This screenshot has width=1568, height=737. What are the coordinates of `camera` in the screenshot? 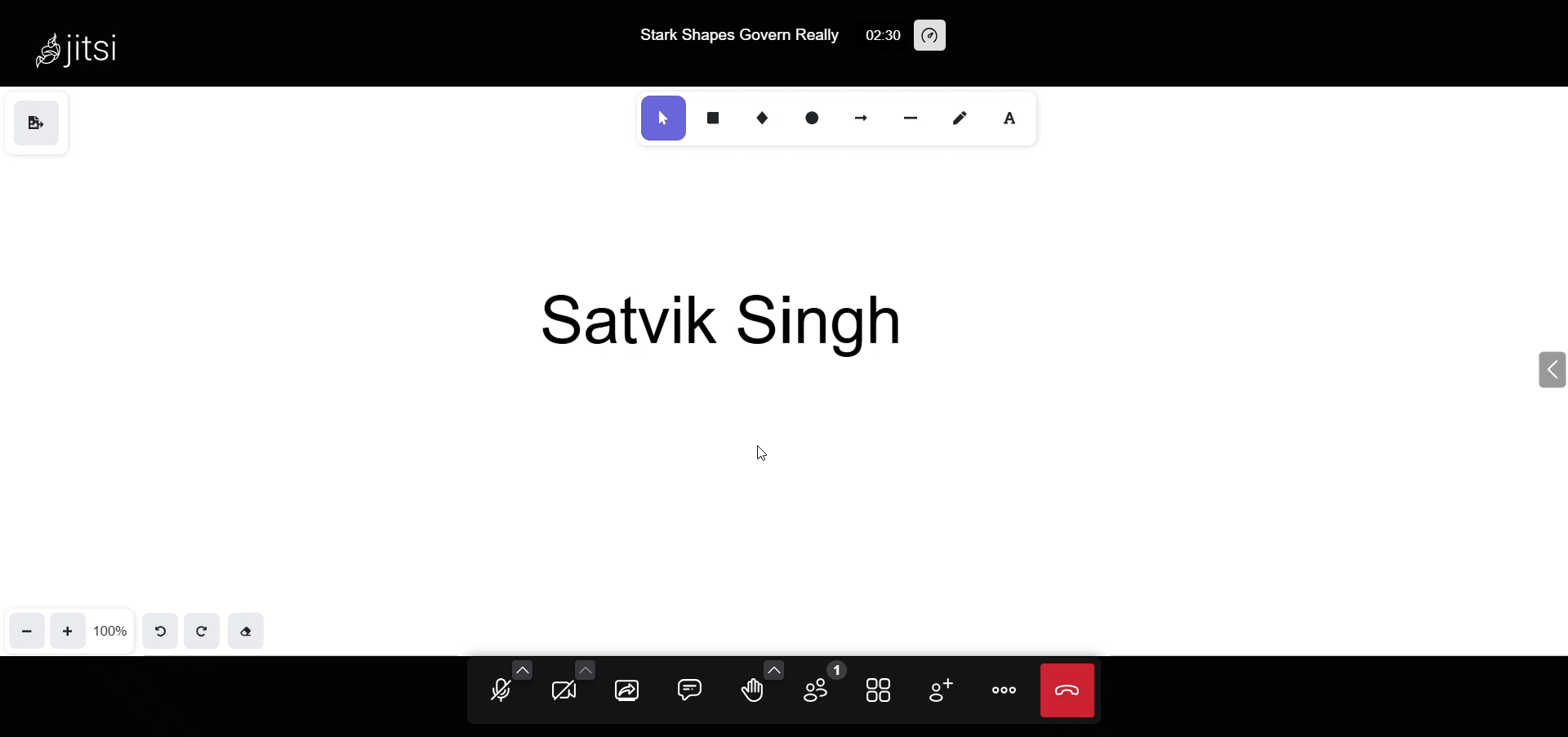 It's located at (565, 691).